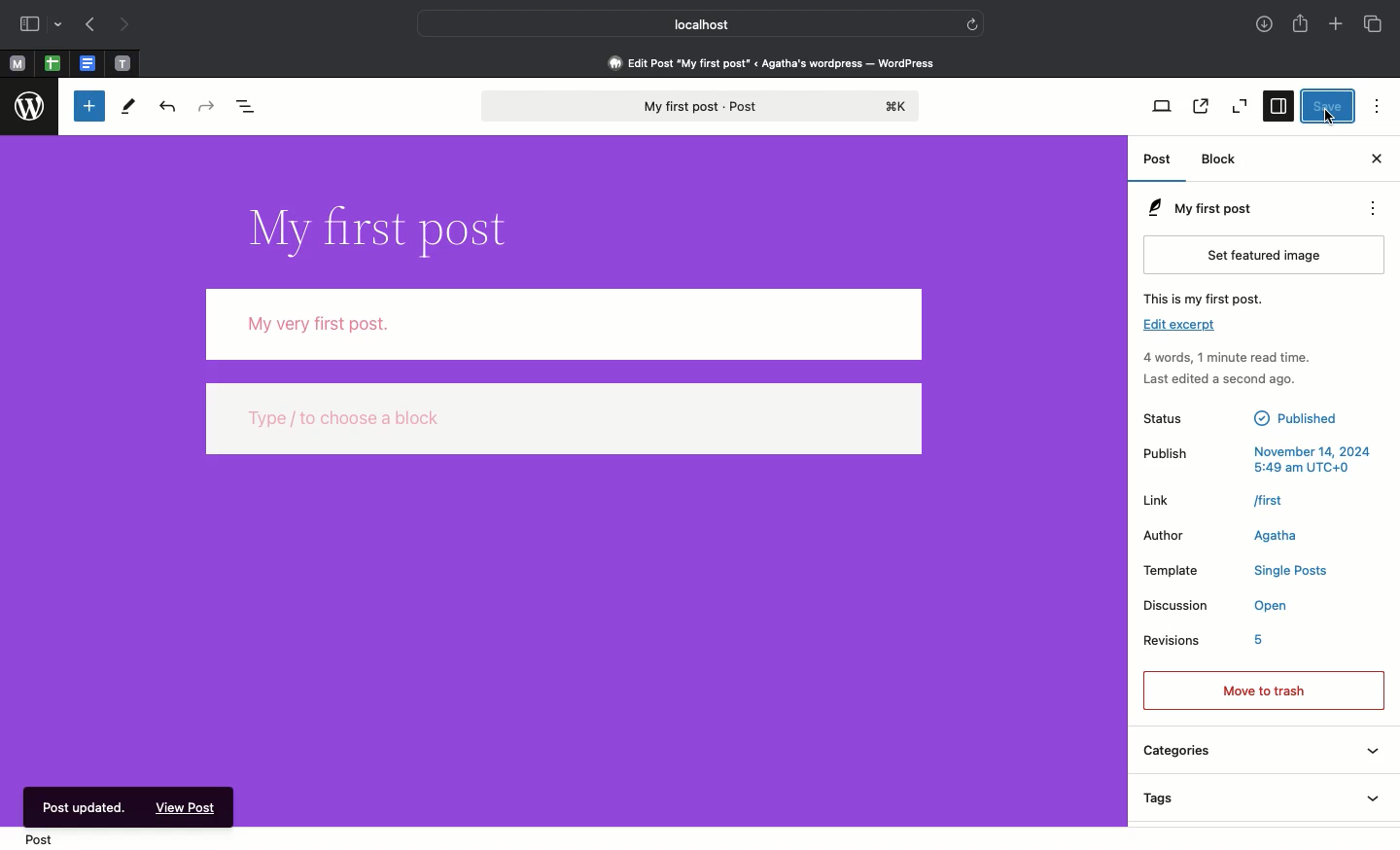 The width and height of the screenshot is (1400, 850). What do you see at coordinates (1242, 572) in the screenshot?
I see `template` at bounding box center [1242, 572].